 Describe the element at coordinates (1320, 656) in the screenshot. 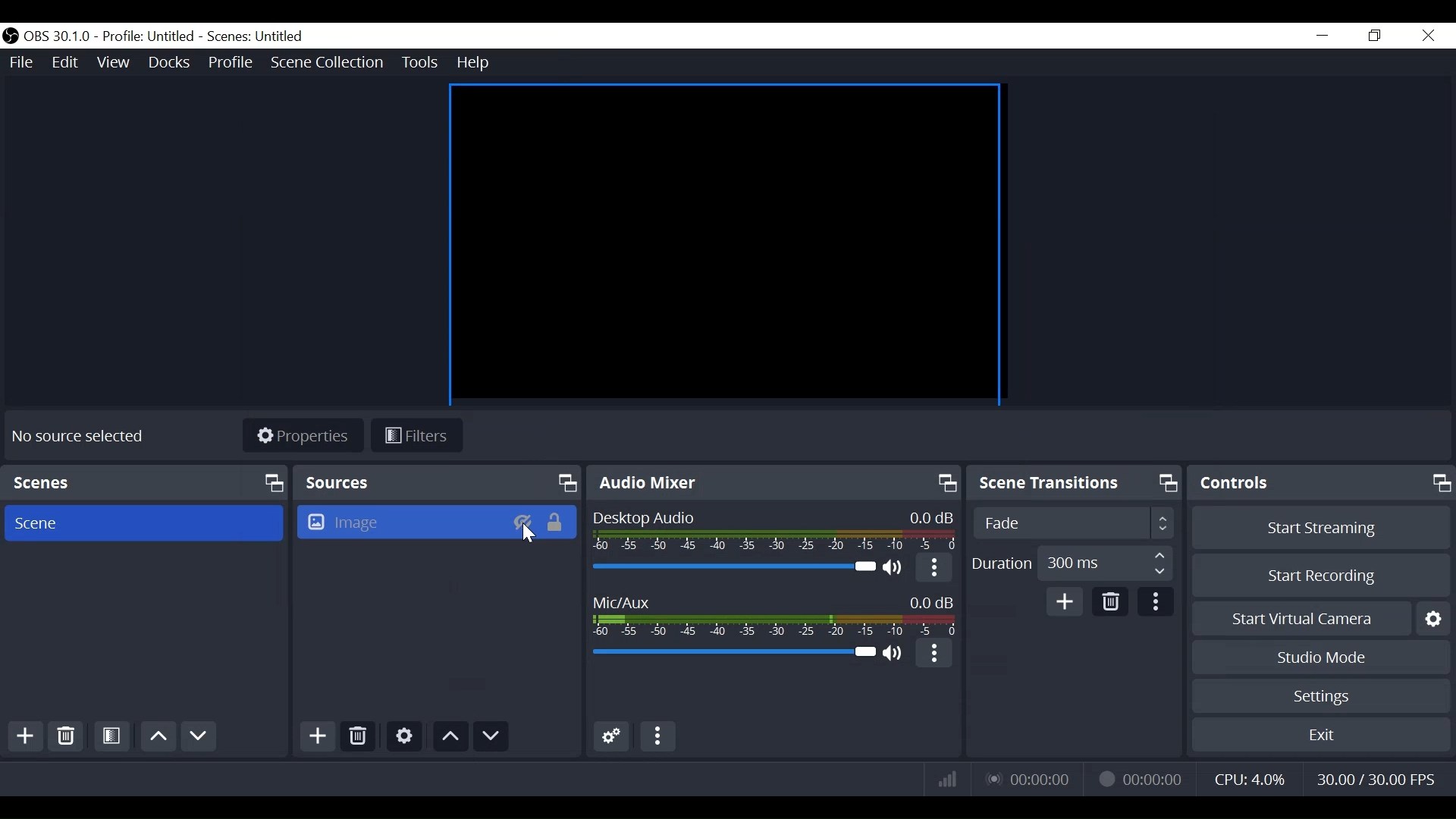

I see `Studio Mode` at that location.